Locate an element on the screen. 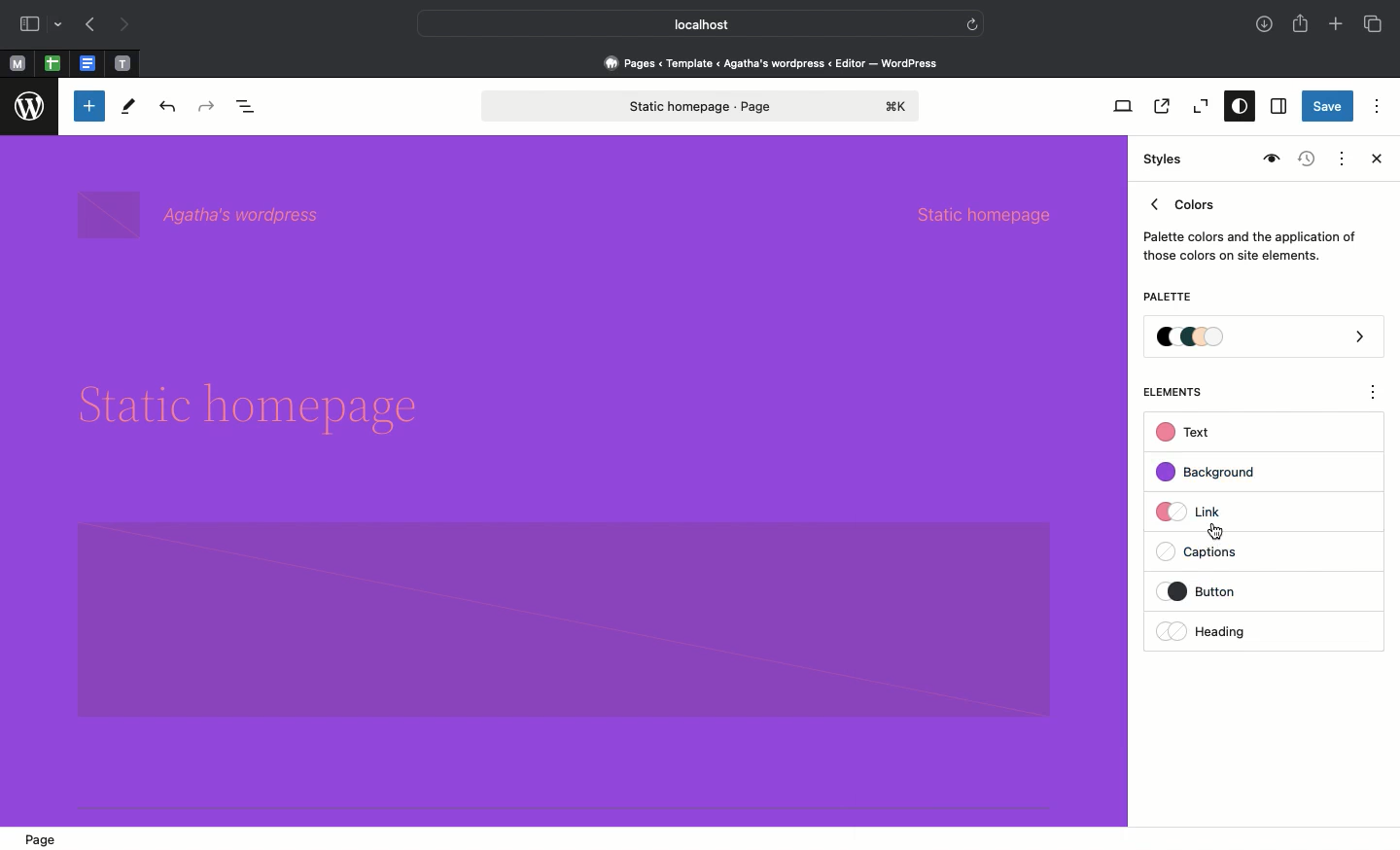 Image resolution: width=1400 pixels, height=850 pixels. Tools is located at coordinates (129, 111).